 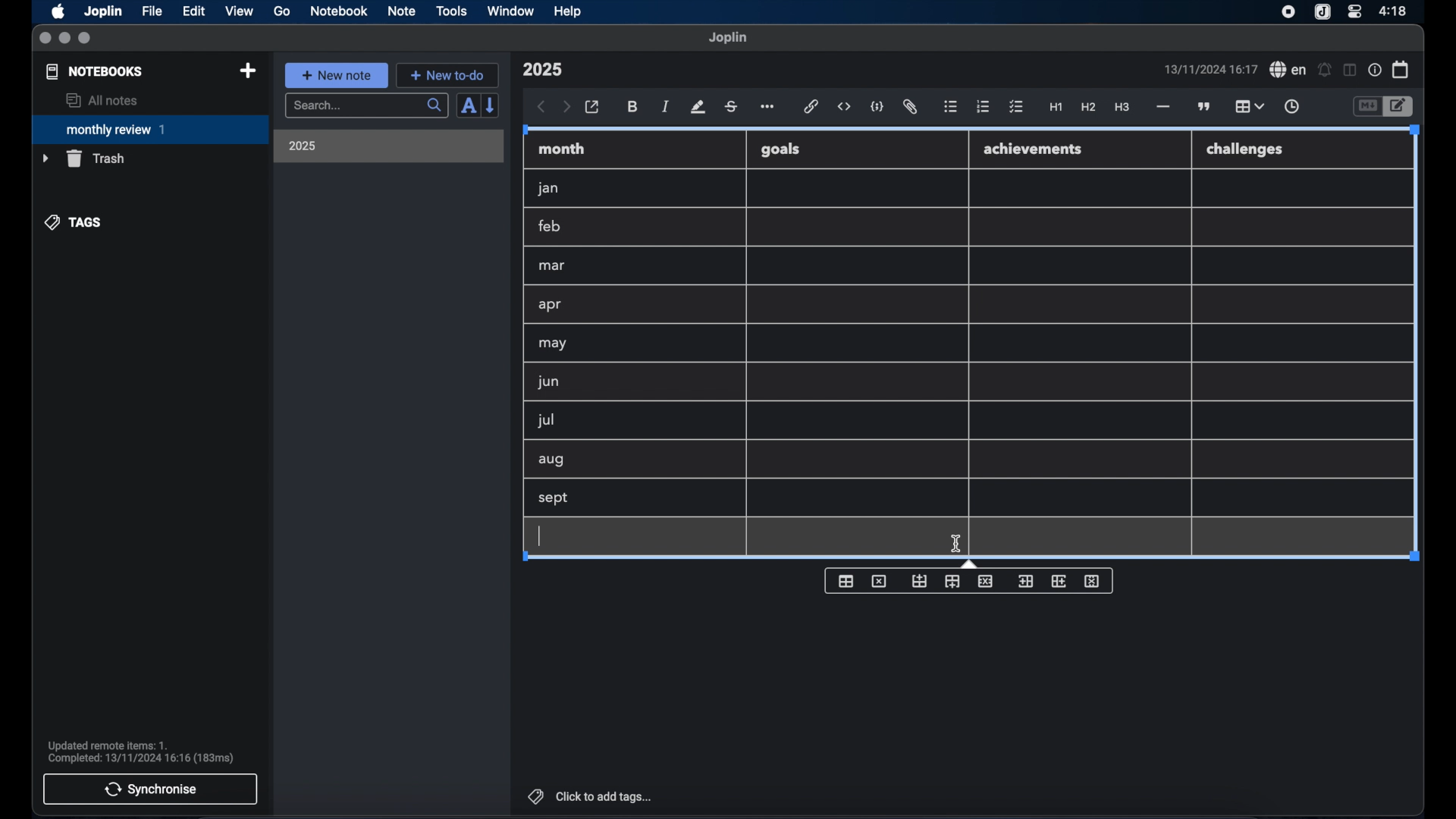 I want to click on inline code, so click(x=844, y=107).